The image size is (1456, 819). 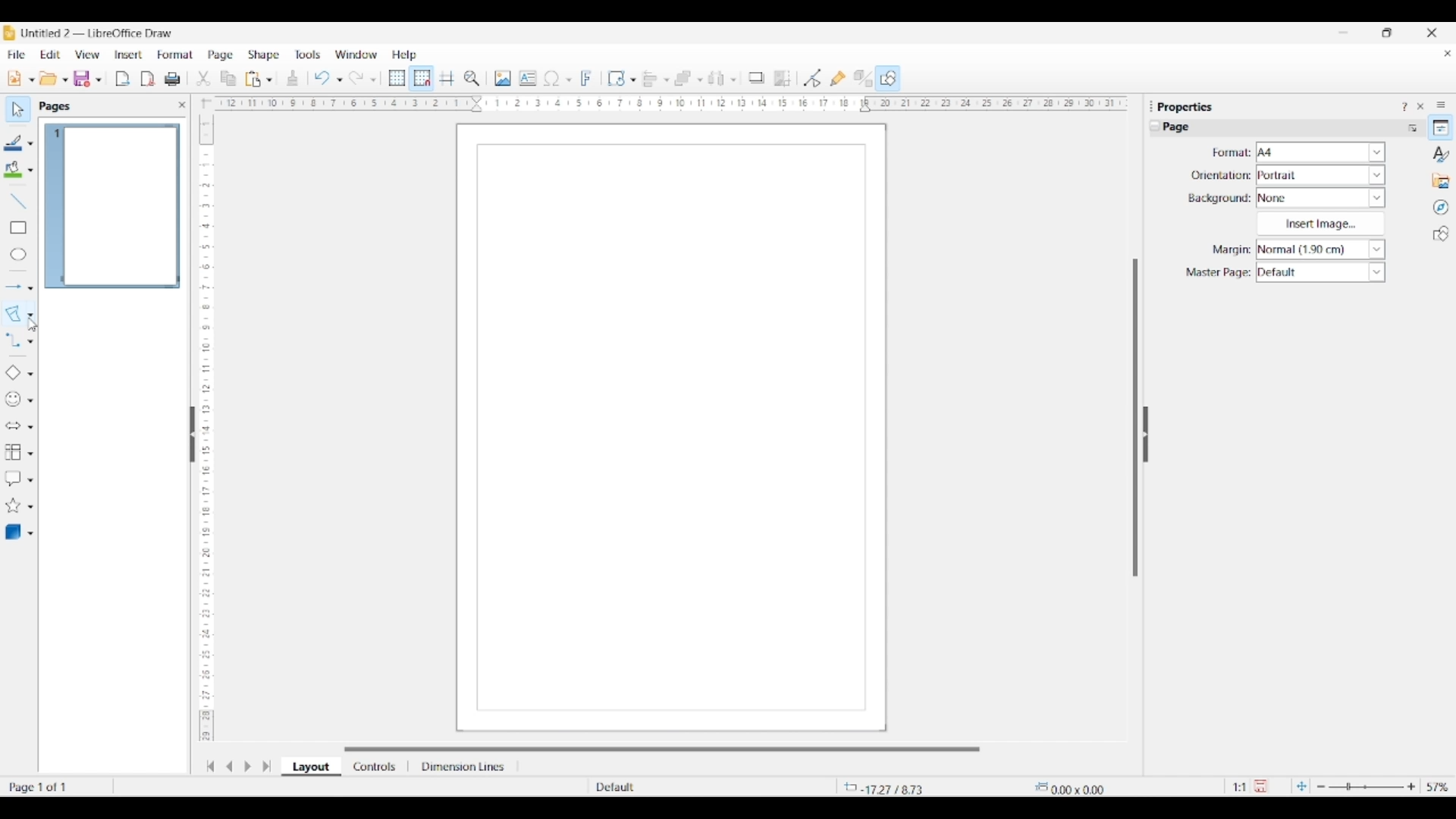 What do you see at coordinates (11, 507) in the screenshot?
I see `Selected star` at bounding box center [11, 507].